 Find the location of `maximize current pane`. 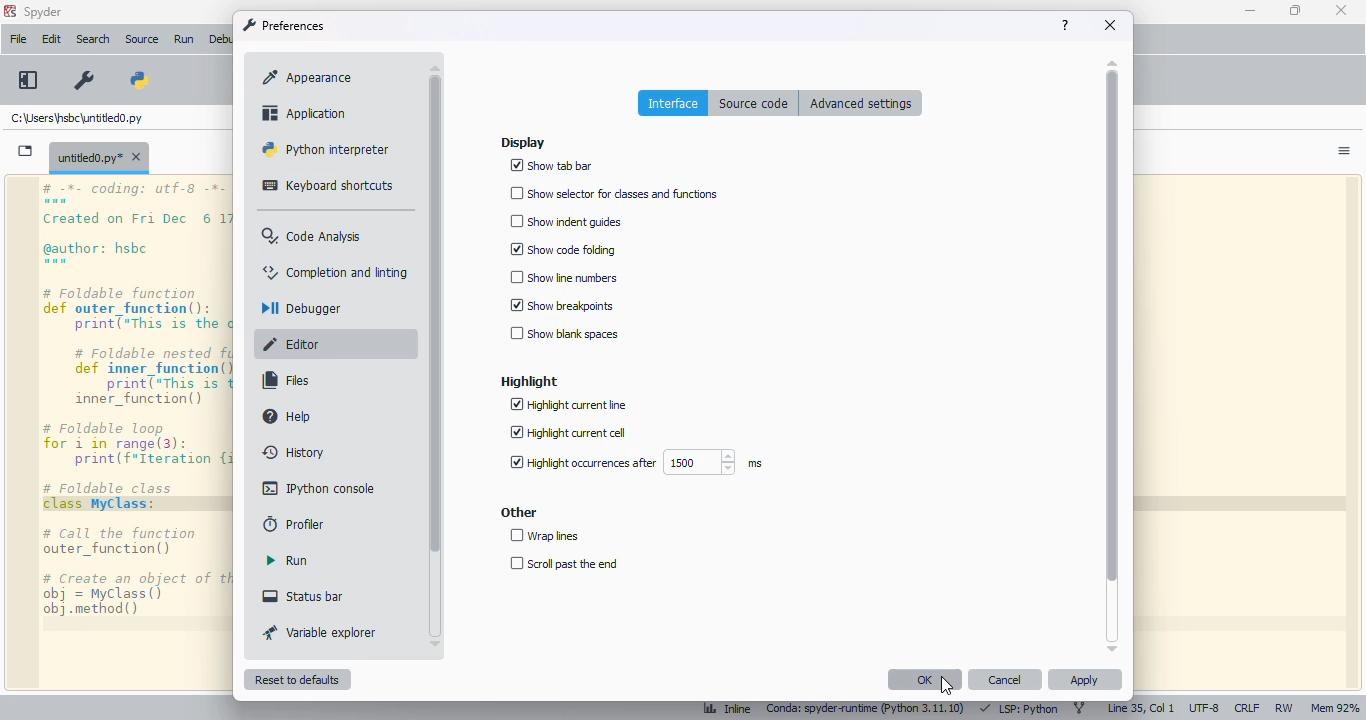

maximize current pane is located at coordinates (28, 80).